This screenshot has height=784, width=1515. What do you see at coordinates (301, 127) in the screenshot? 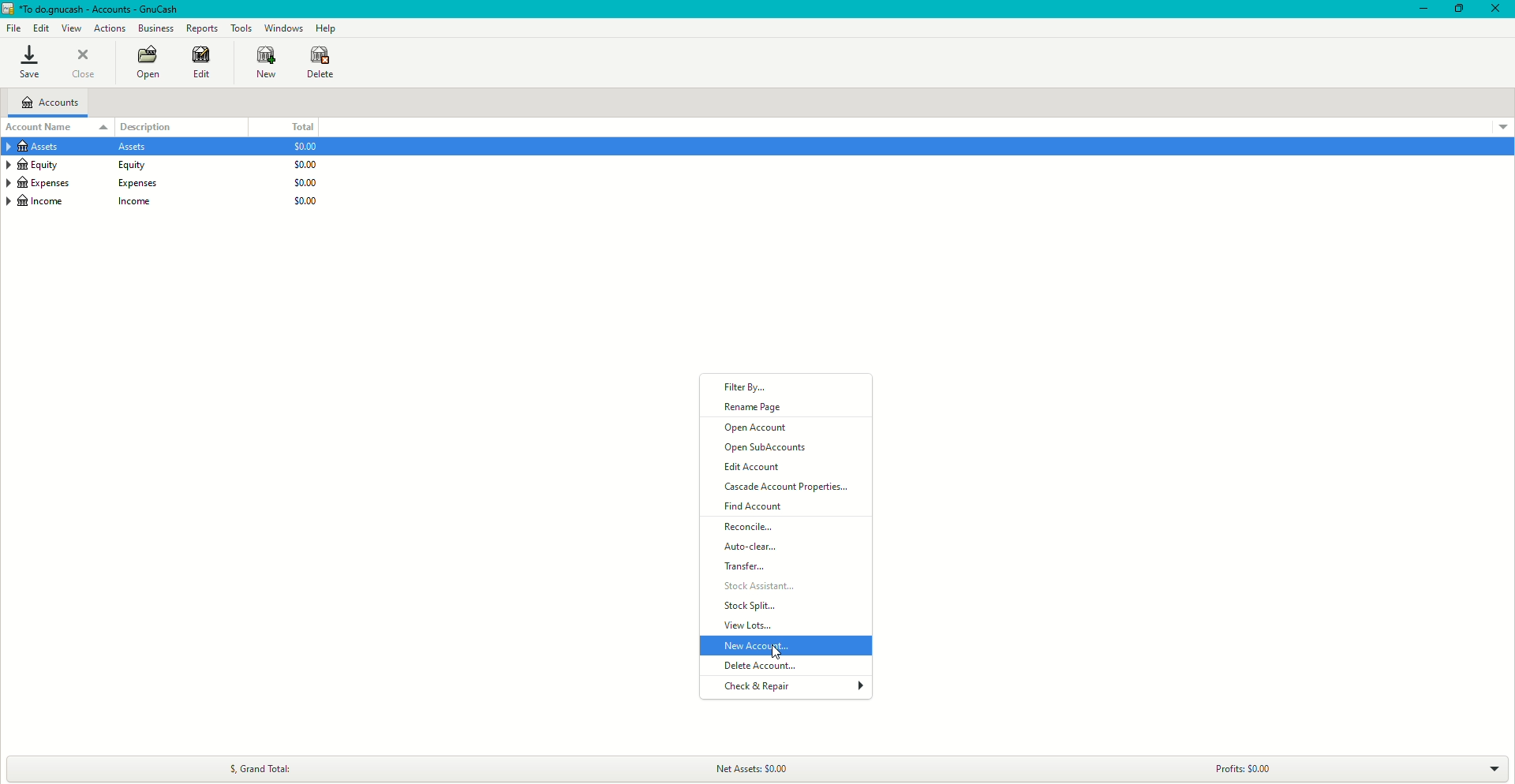
I see `Total` at bounding box center [301, 127].